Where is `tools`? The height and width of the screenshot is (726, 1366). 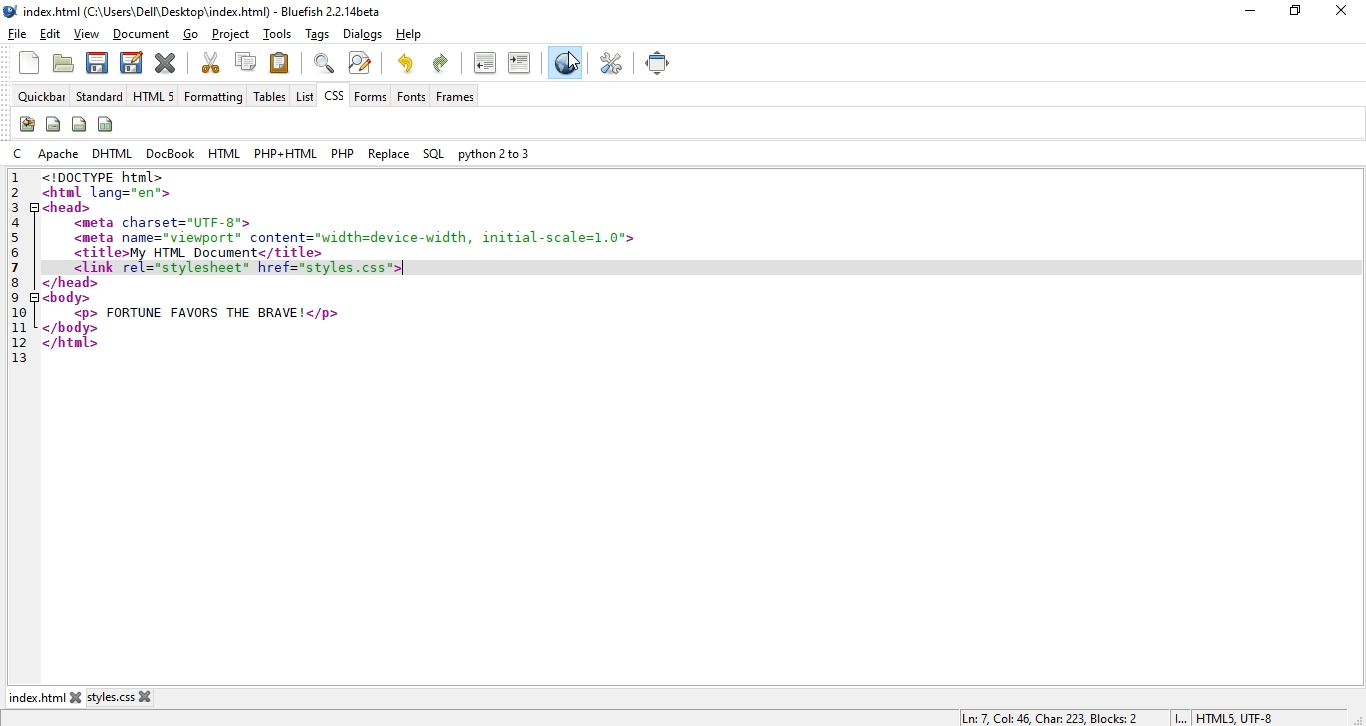
tools is located at coordinates (280, 35).